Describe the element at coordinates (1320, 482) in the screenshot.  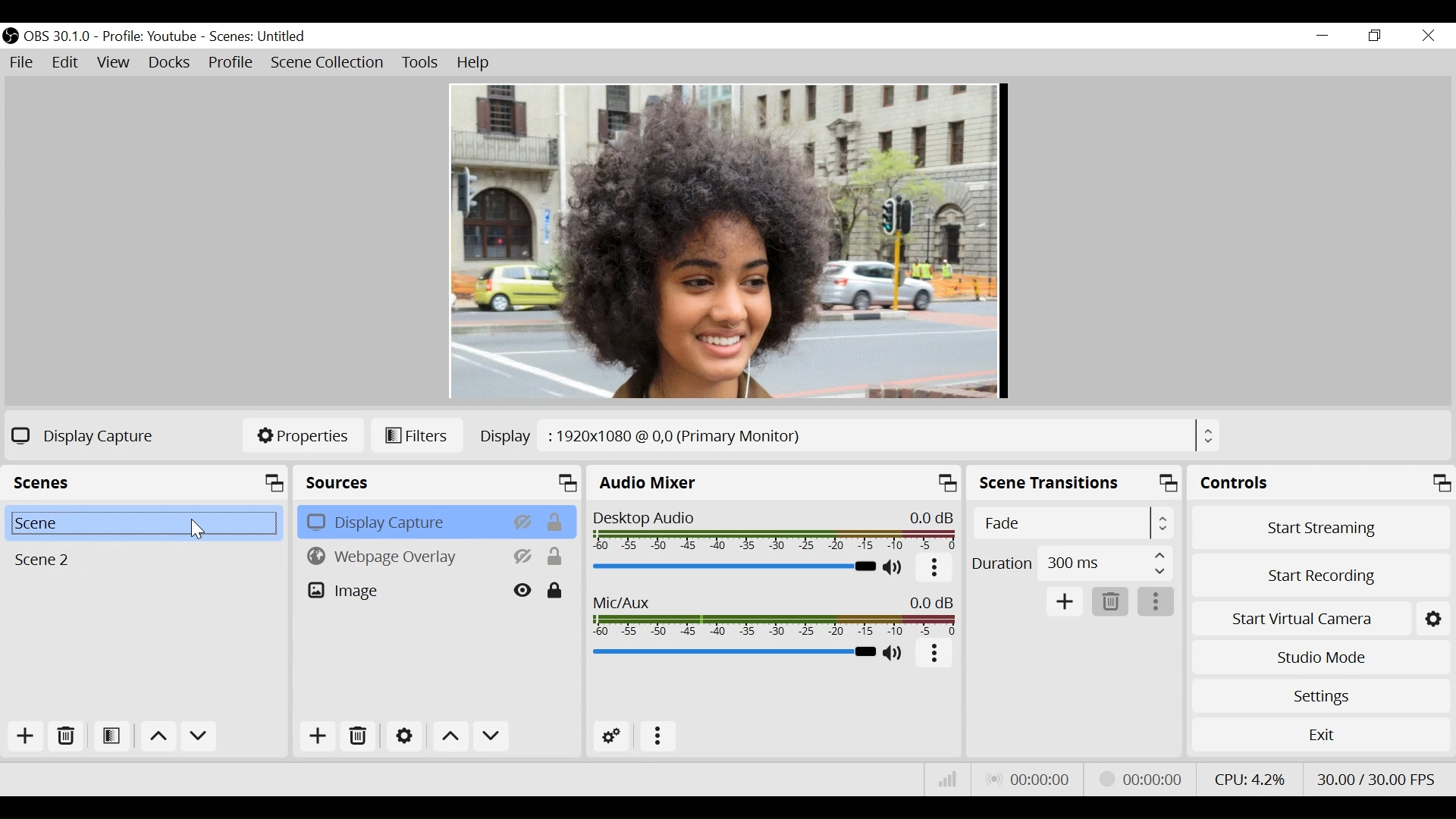
I see `Control` at that location.